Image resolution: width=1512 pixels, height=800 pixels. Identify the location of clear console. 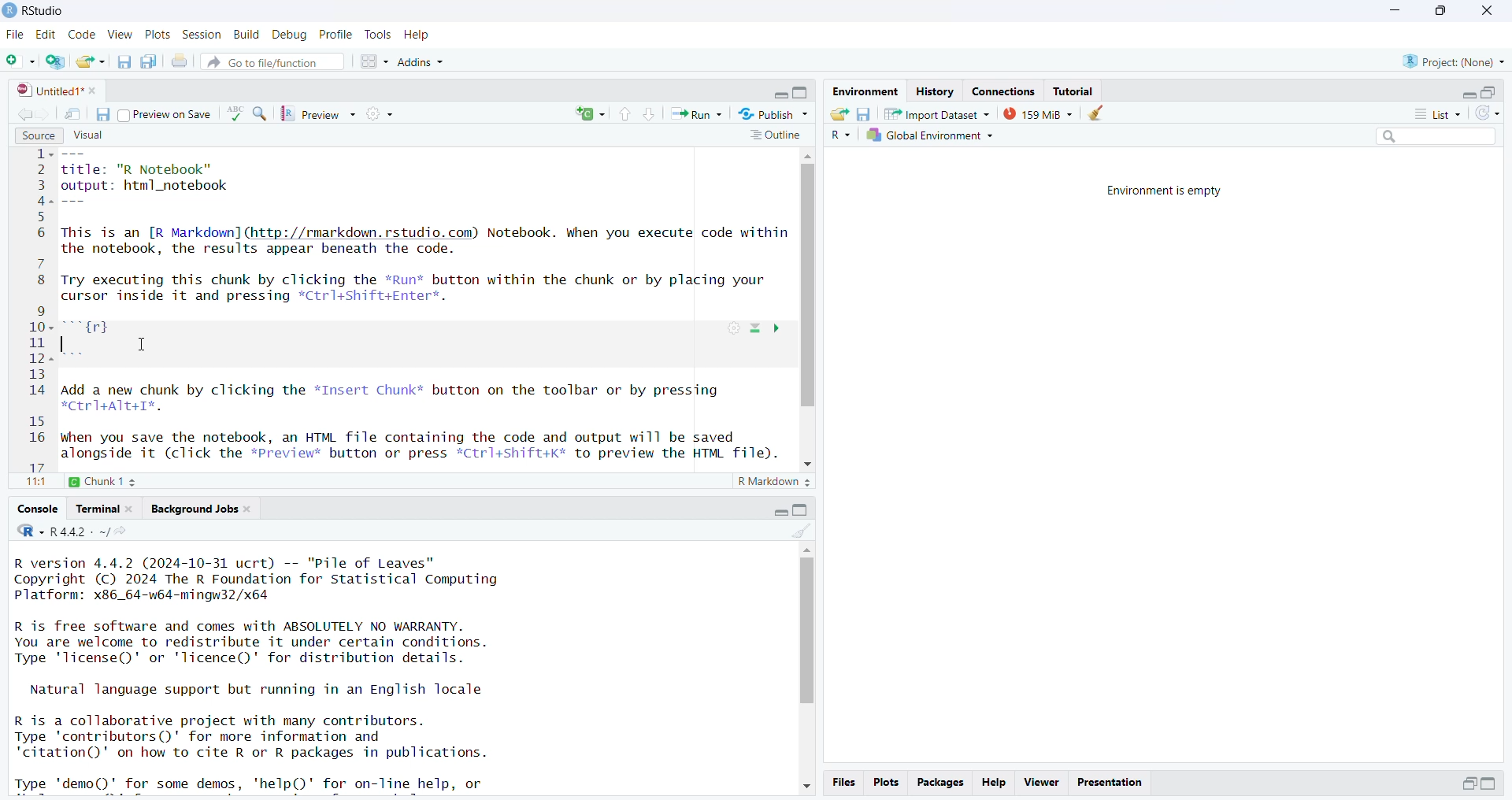
(802, 529).